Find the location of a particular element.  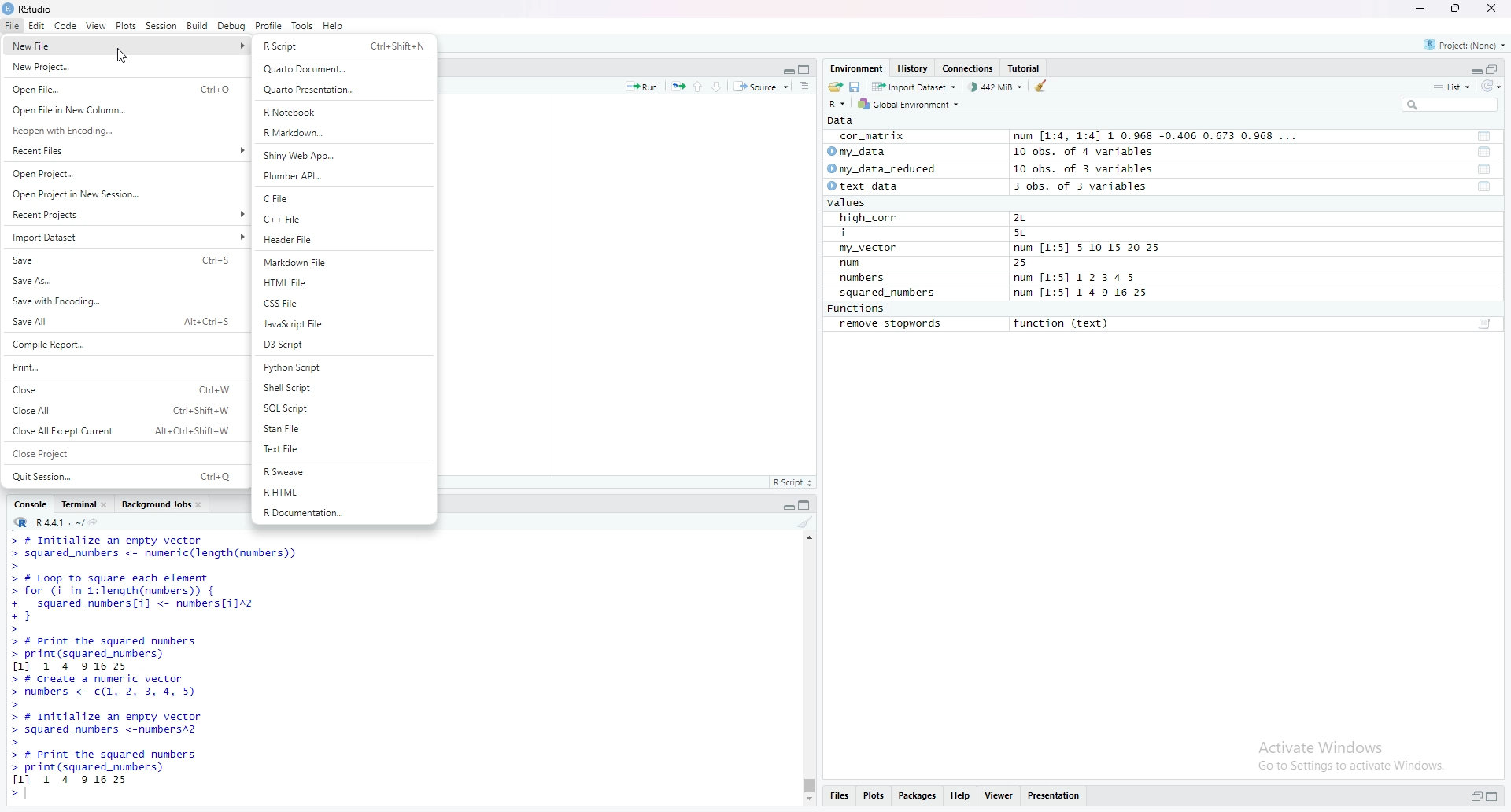

maximize is located at coordinates (1494, 795).